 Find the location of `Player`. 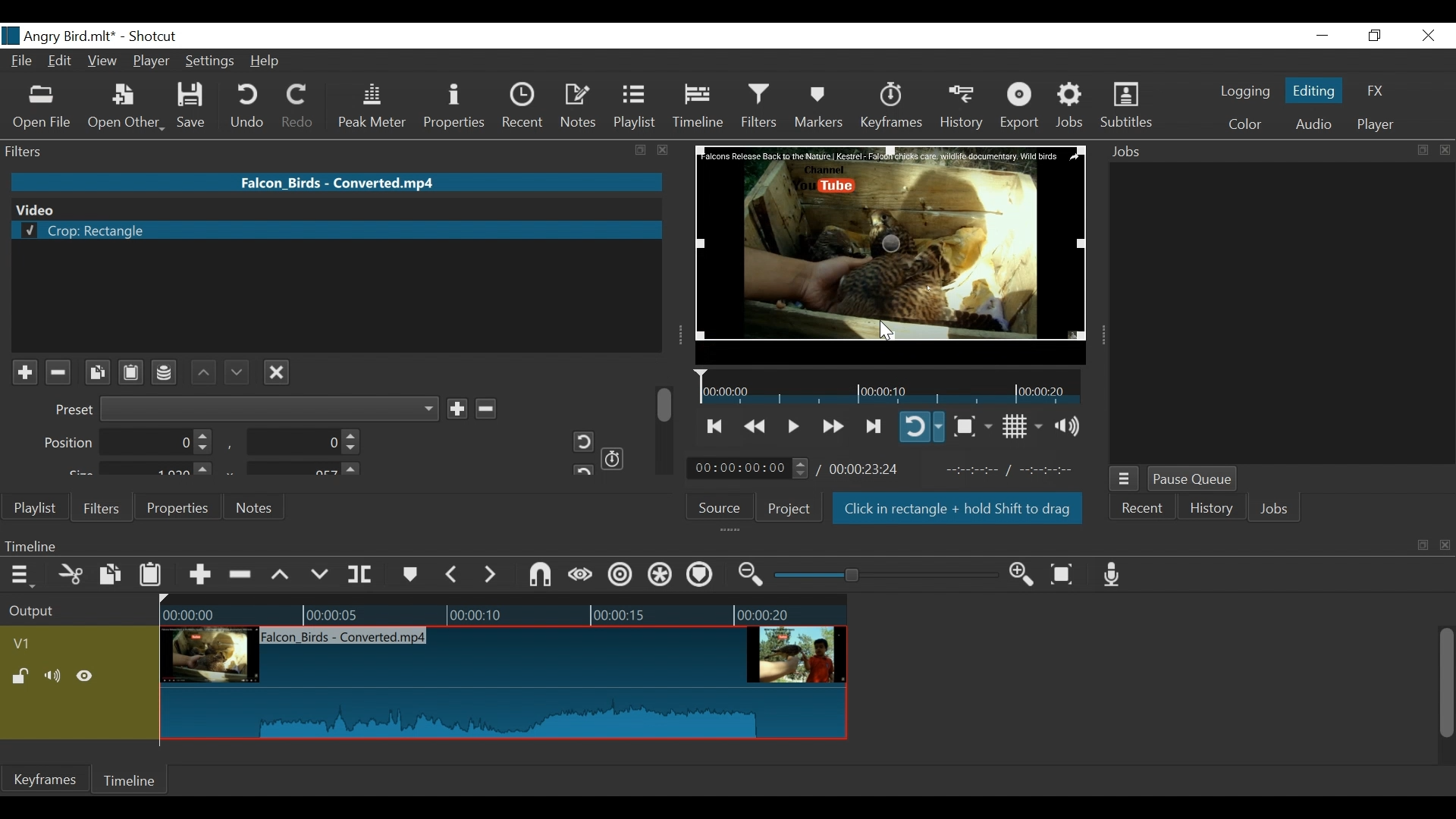

Player is located at coordinates (152, 63).